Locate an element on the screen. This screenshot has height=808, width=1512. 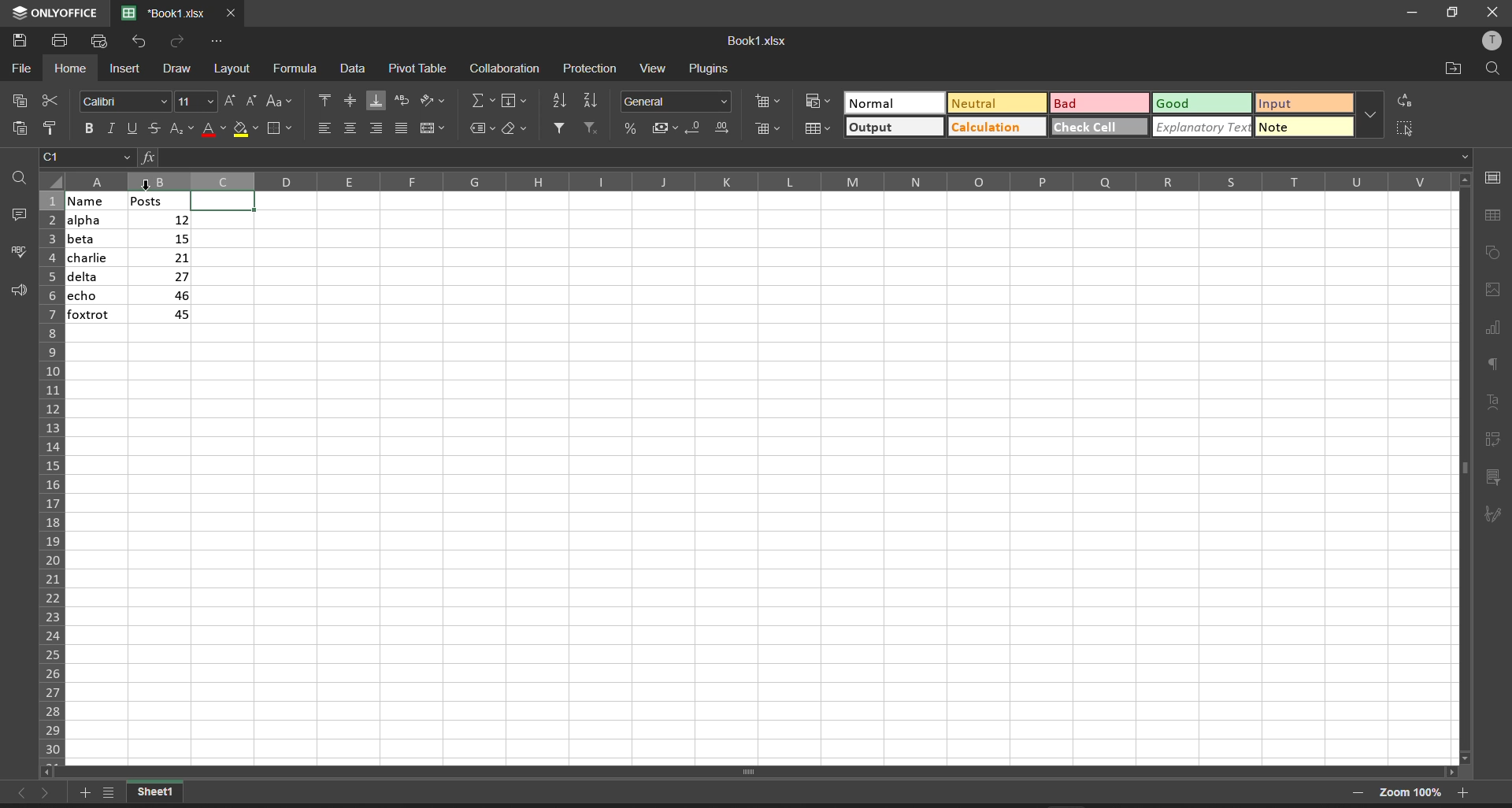
Neutral is located at coordinates (976, 102).